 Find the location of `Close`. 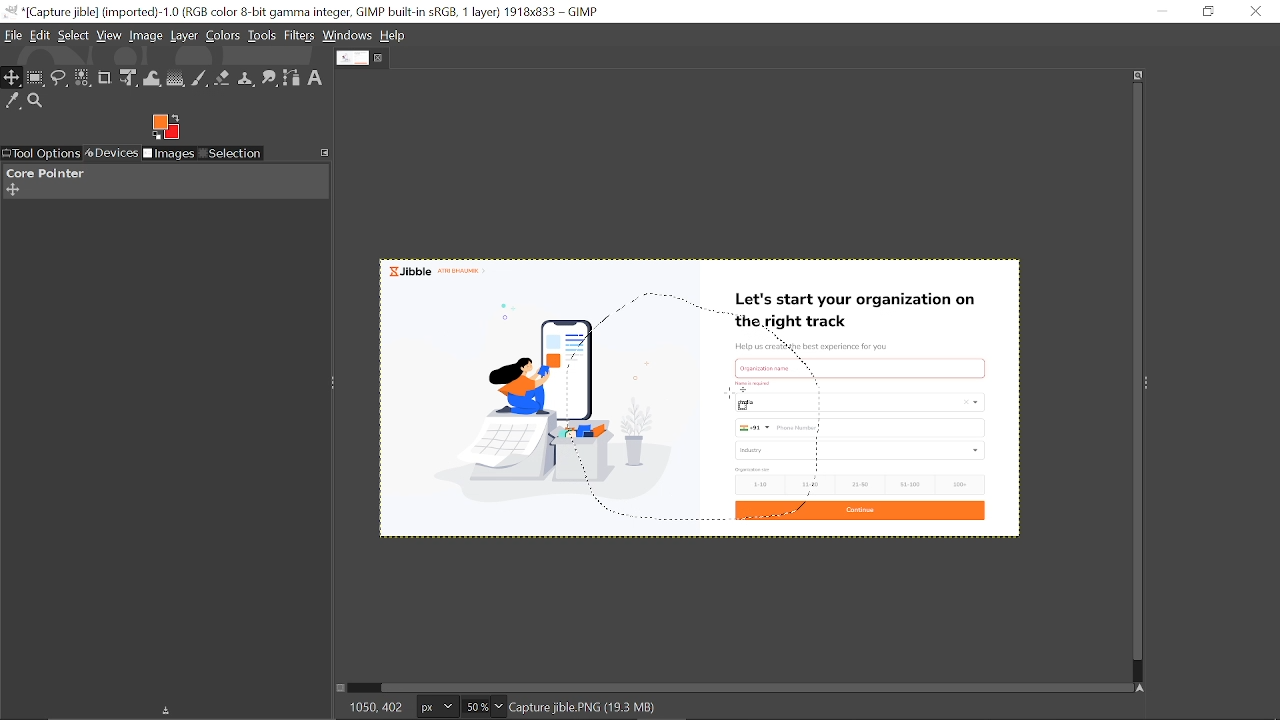

Close is located at coordinates (1257, 11).